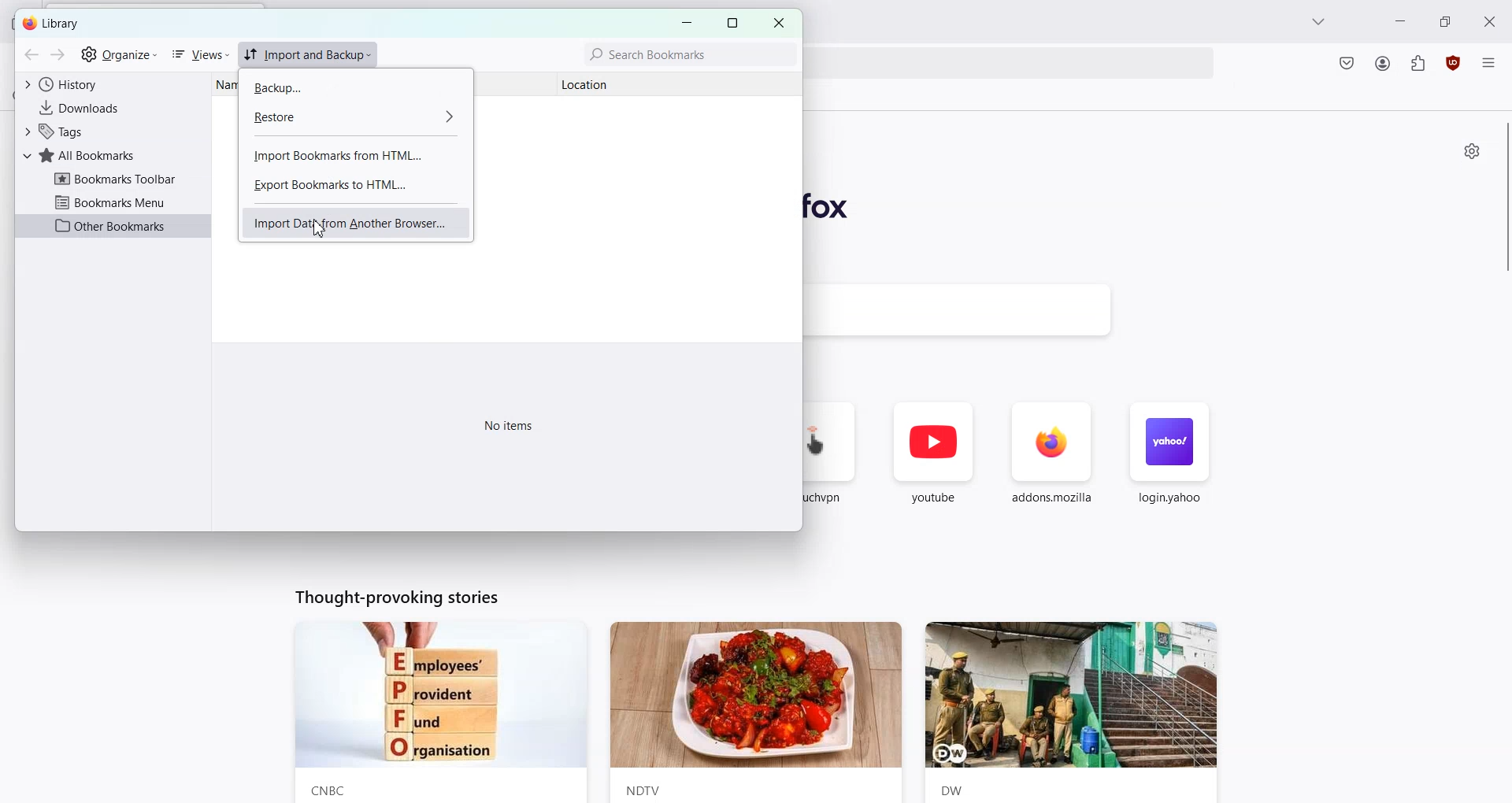  I want to click on All Bookmarks, so click(112, 155).